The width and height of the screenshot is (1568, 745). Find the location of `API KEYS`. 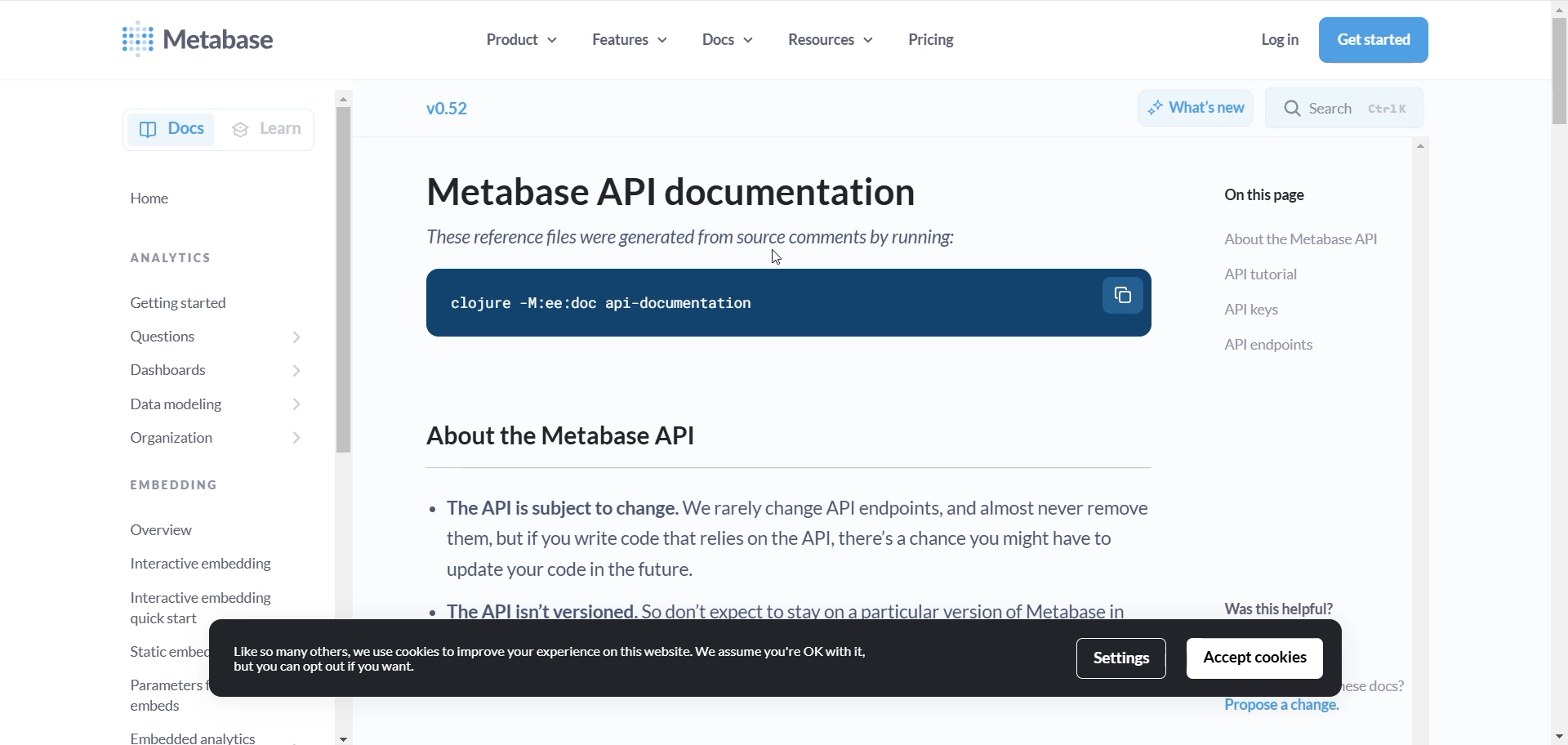

API KEYS is located at coordinates (1290, 310).